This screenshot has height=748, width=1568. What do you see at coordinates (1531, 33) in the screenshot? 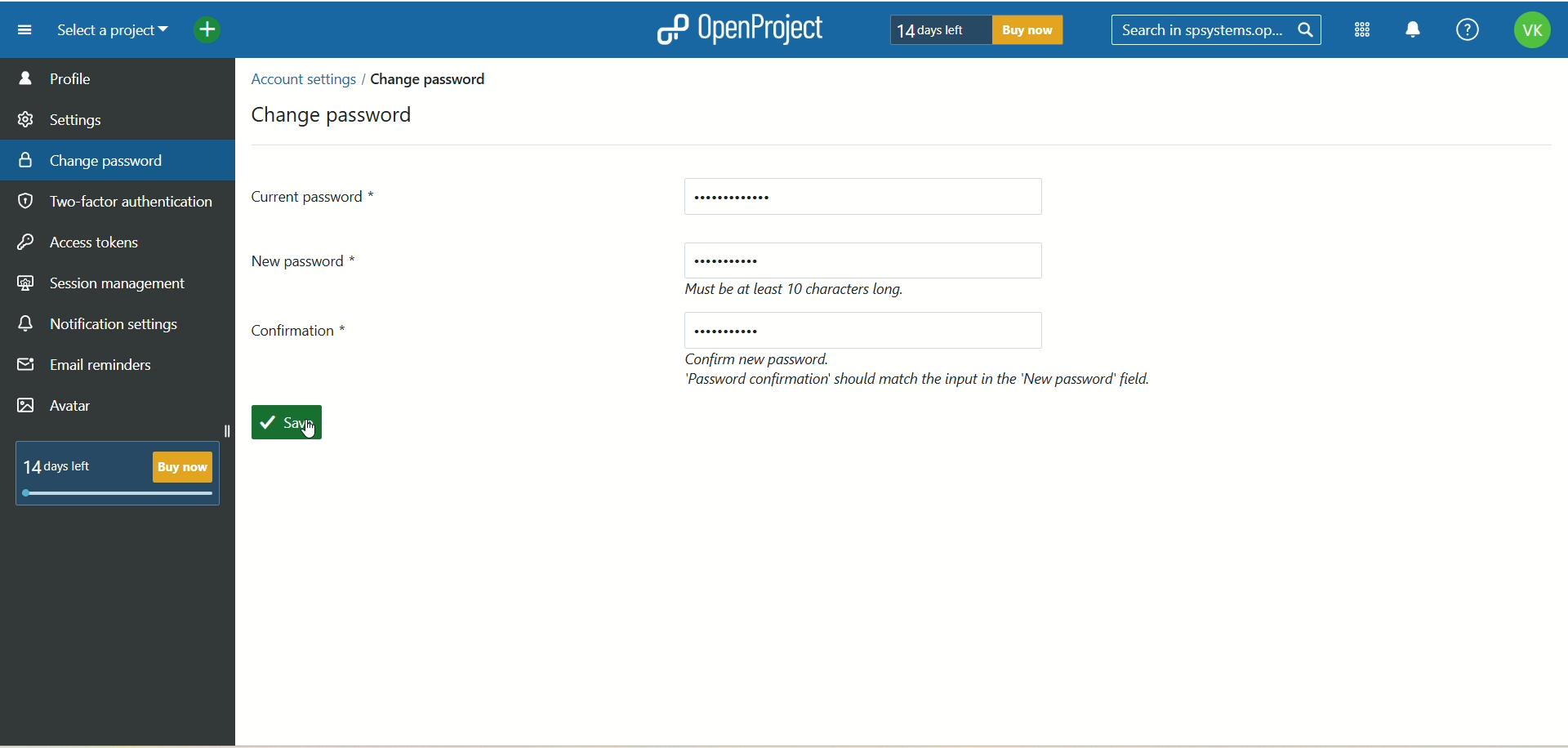
I see `account` at bounding box center [1531, 33].